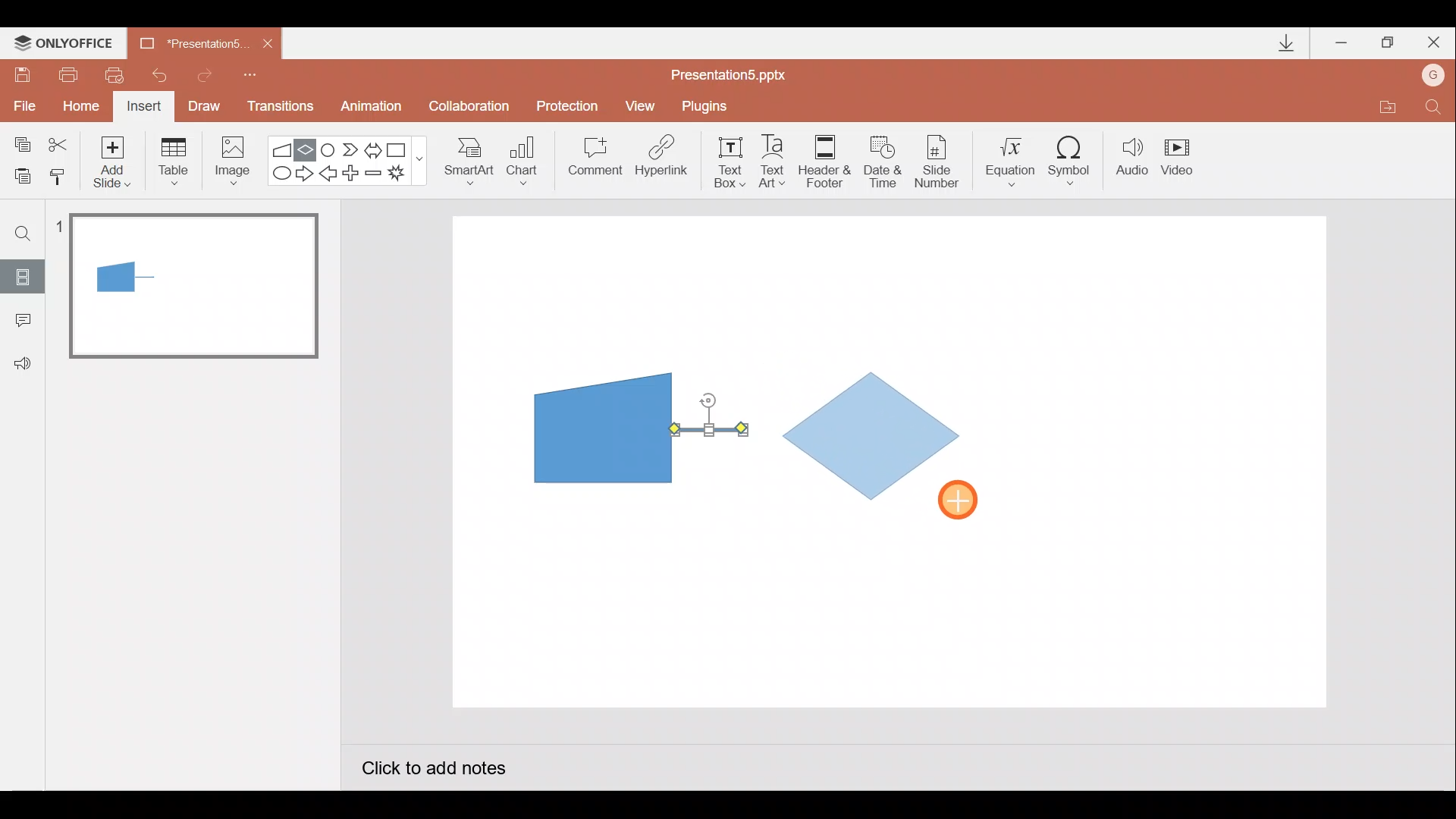 The width and height of the screenshot is (1456, 819). Describe the element at coordinates (268, 44) in the screenshot. I see `Close` at that location.